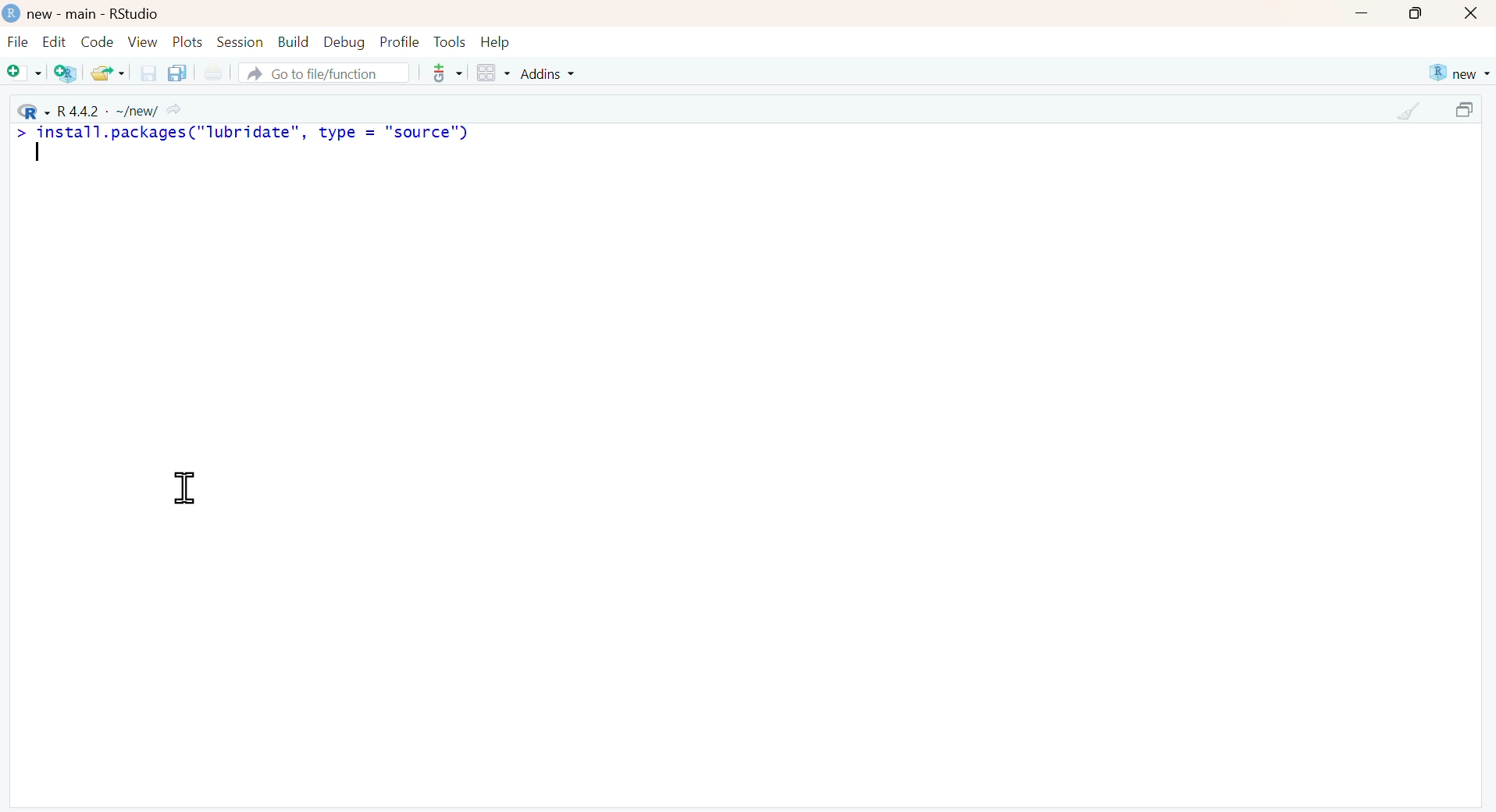 Image resolution: width=1496 pixels, height=812 pixels. Describe the element at coordinates (54, 41) in the screenshot. I see `Edit` at that location.